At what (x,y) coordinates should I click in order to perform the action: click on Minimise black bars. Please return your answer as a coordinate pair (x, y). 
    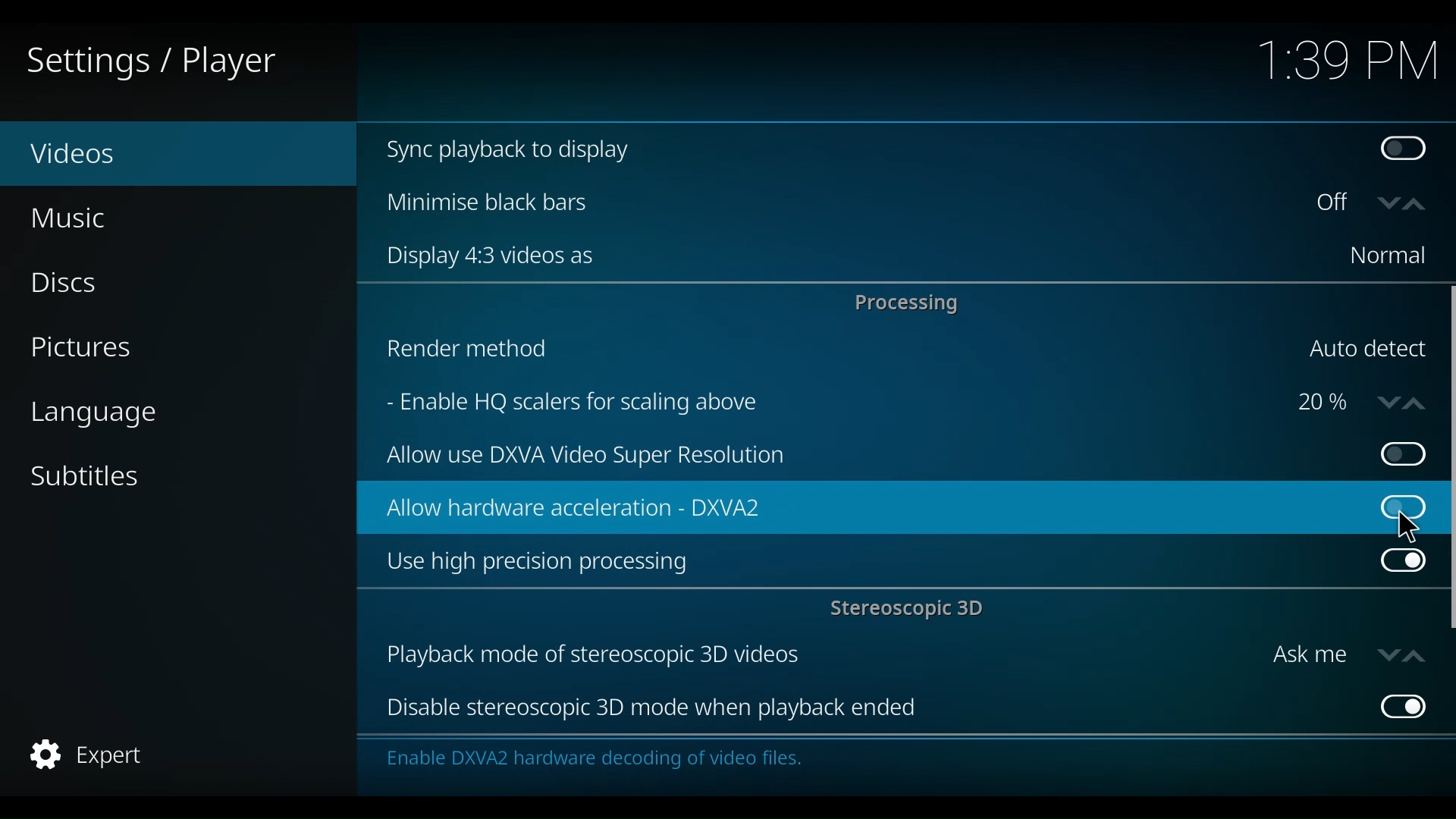
    Looking at the image, I should click on (835, 202).